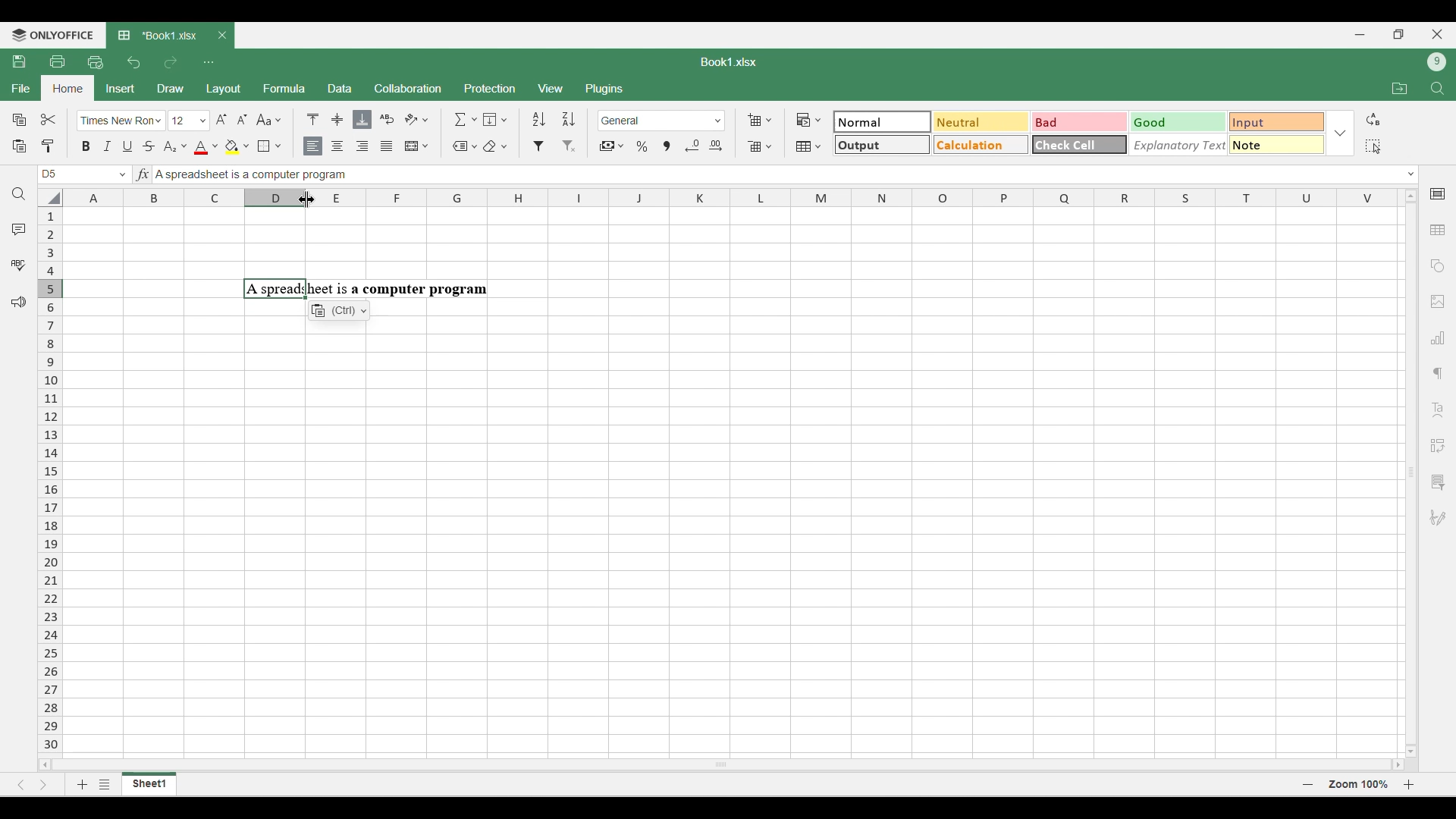  Describe the element at coordinates (224, 89) in the screenshot. I see `Layout menu` at that location.